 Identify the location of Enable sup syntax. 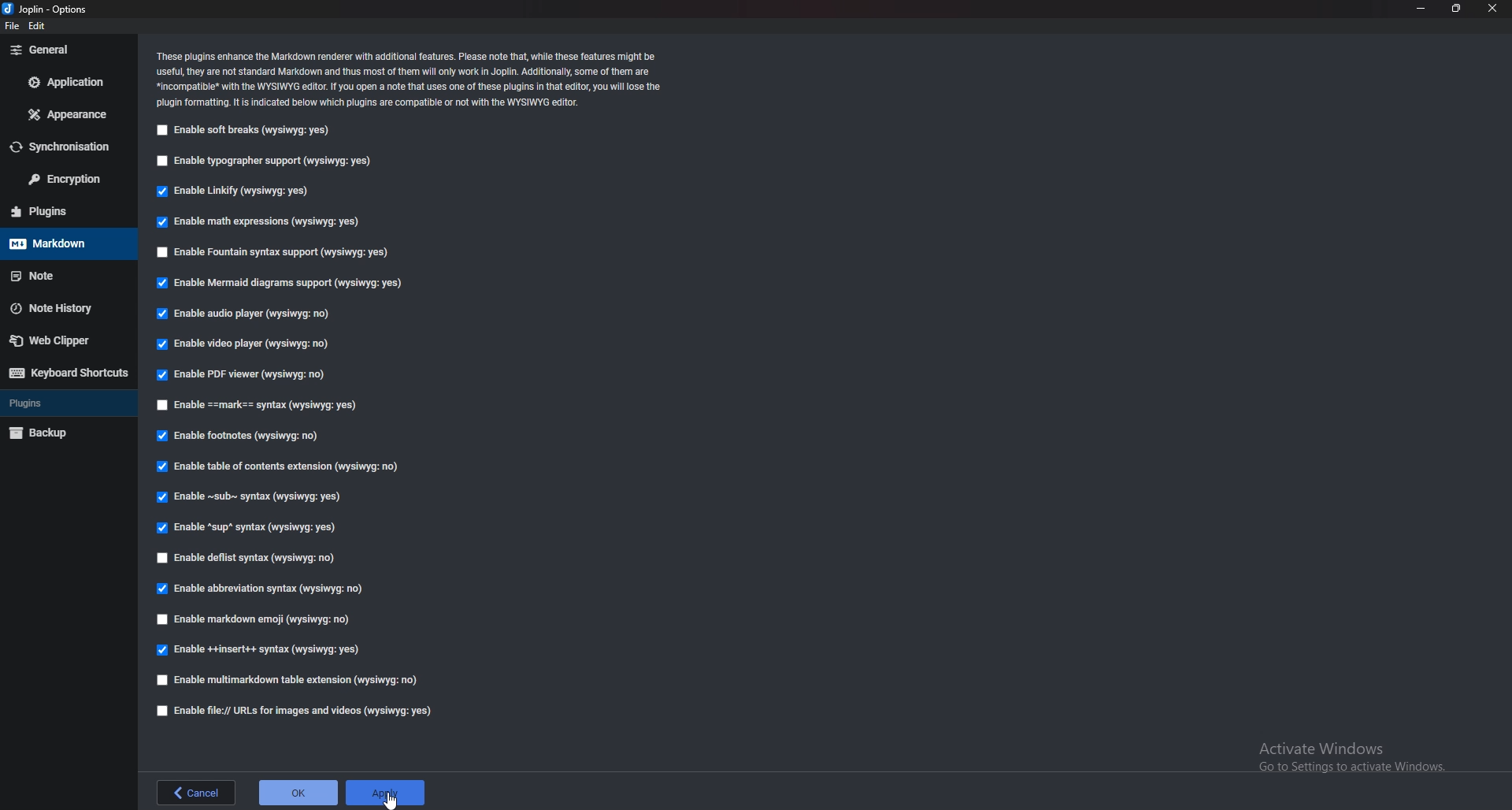
(249, 528).